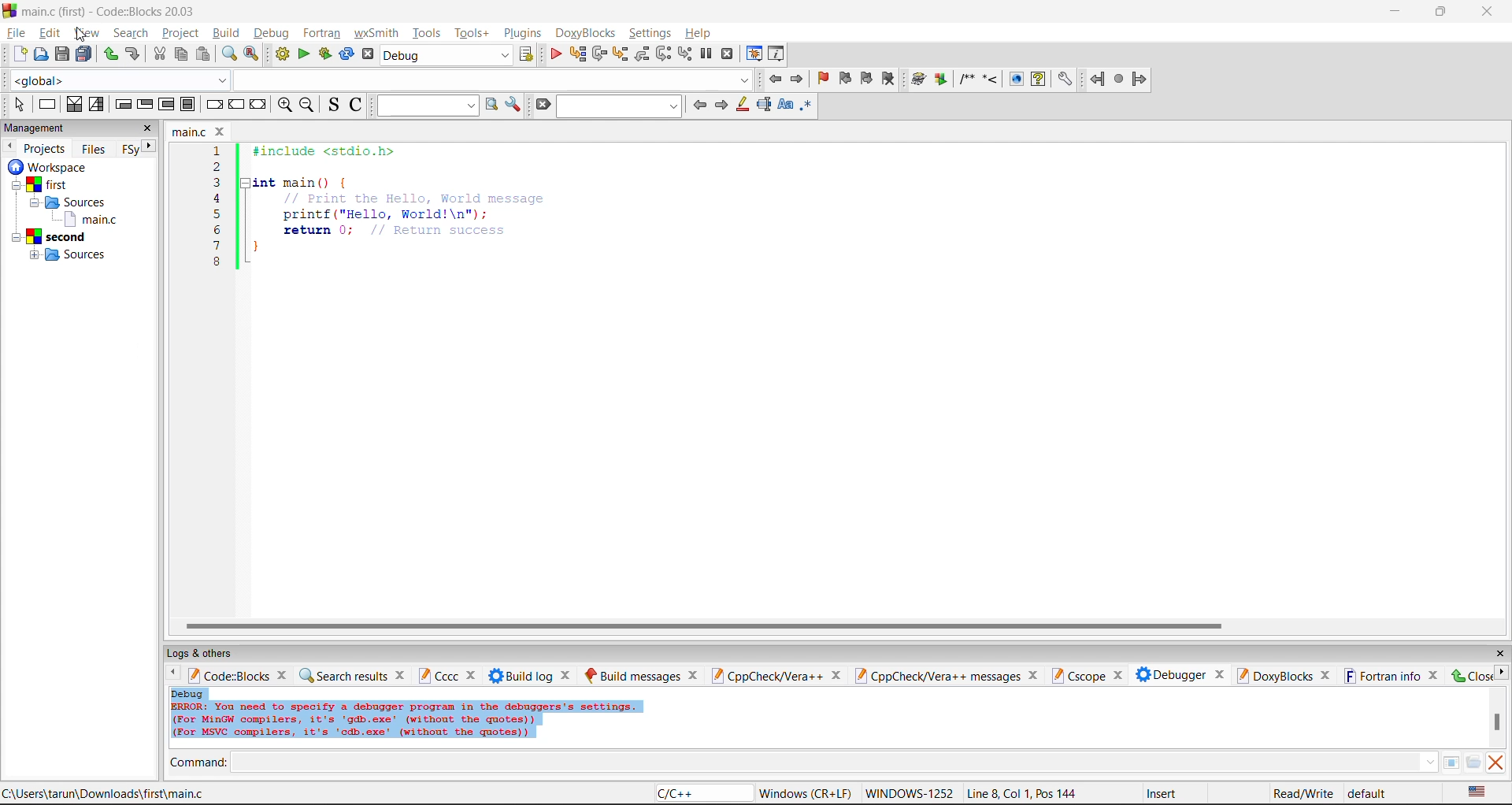 The image size is (1512, 805). Describe the element at coordinates (622, 54) in the screenshot. I see `step into` at that location.